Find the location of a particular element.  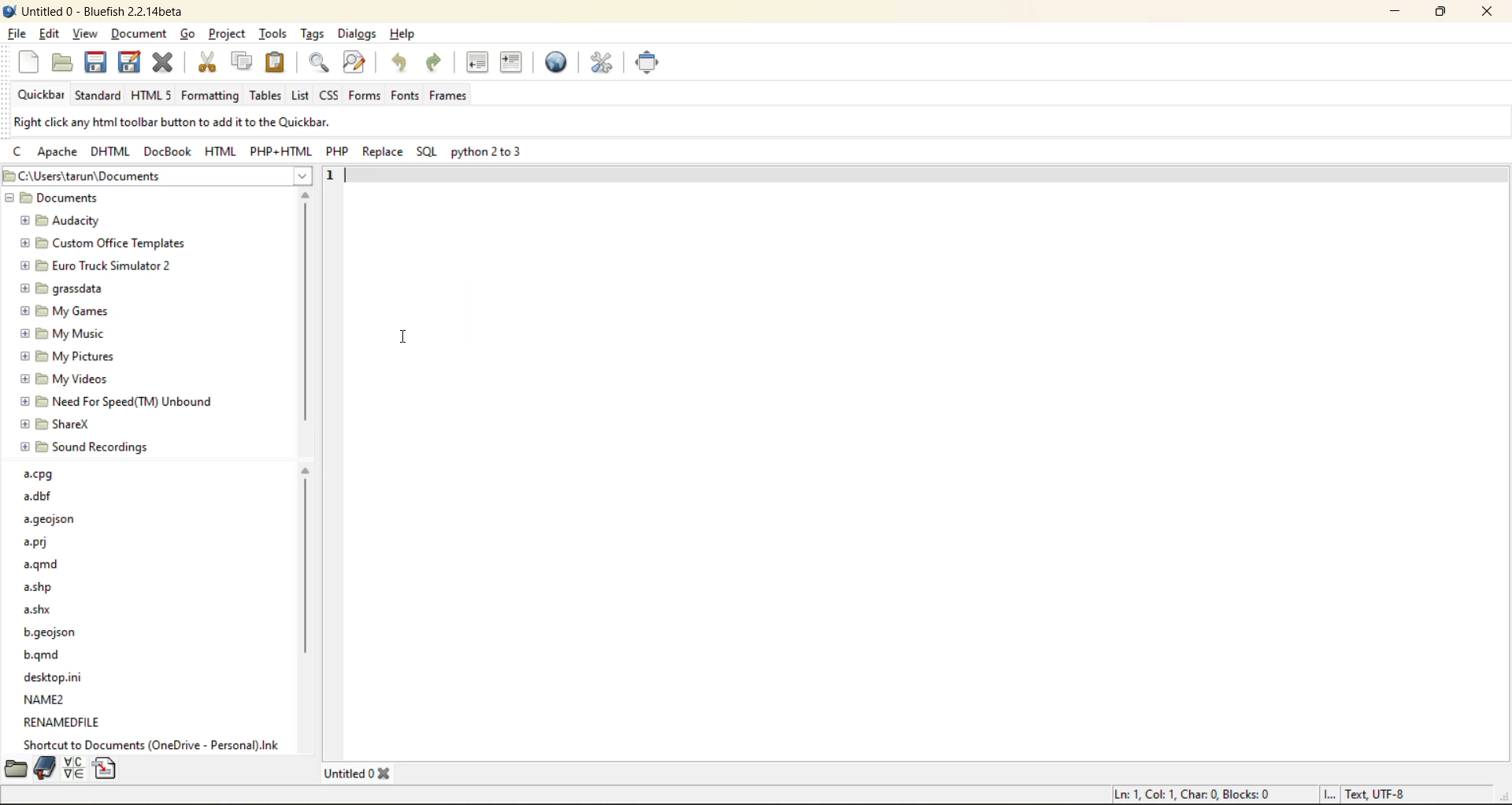

custom office templates is located at coordinates (104, 243).